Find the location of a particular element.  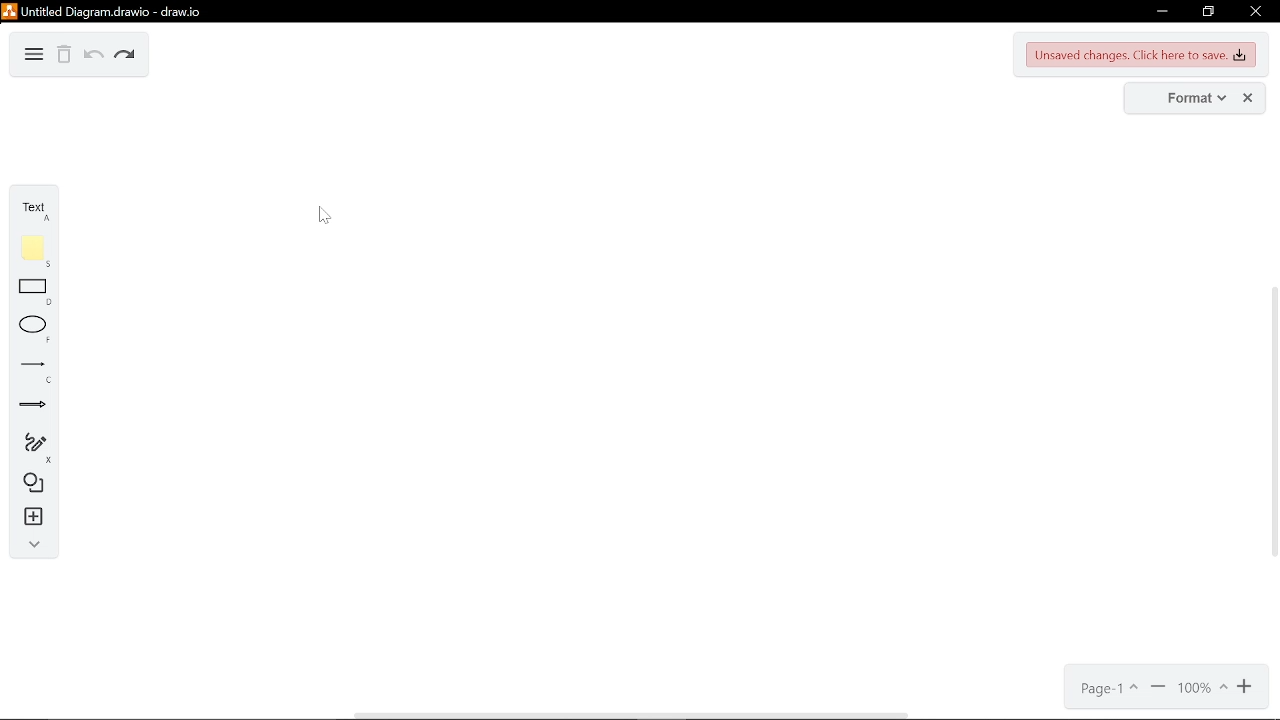

vertical scroll bar is located at coordinates (1272, 424).